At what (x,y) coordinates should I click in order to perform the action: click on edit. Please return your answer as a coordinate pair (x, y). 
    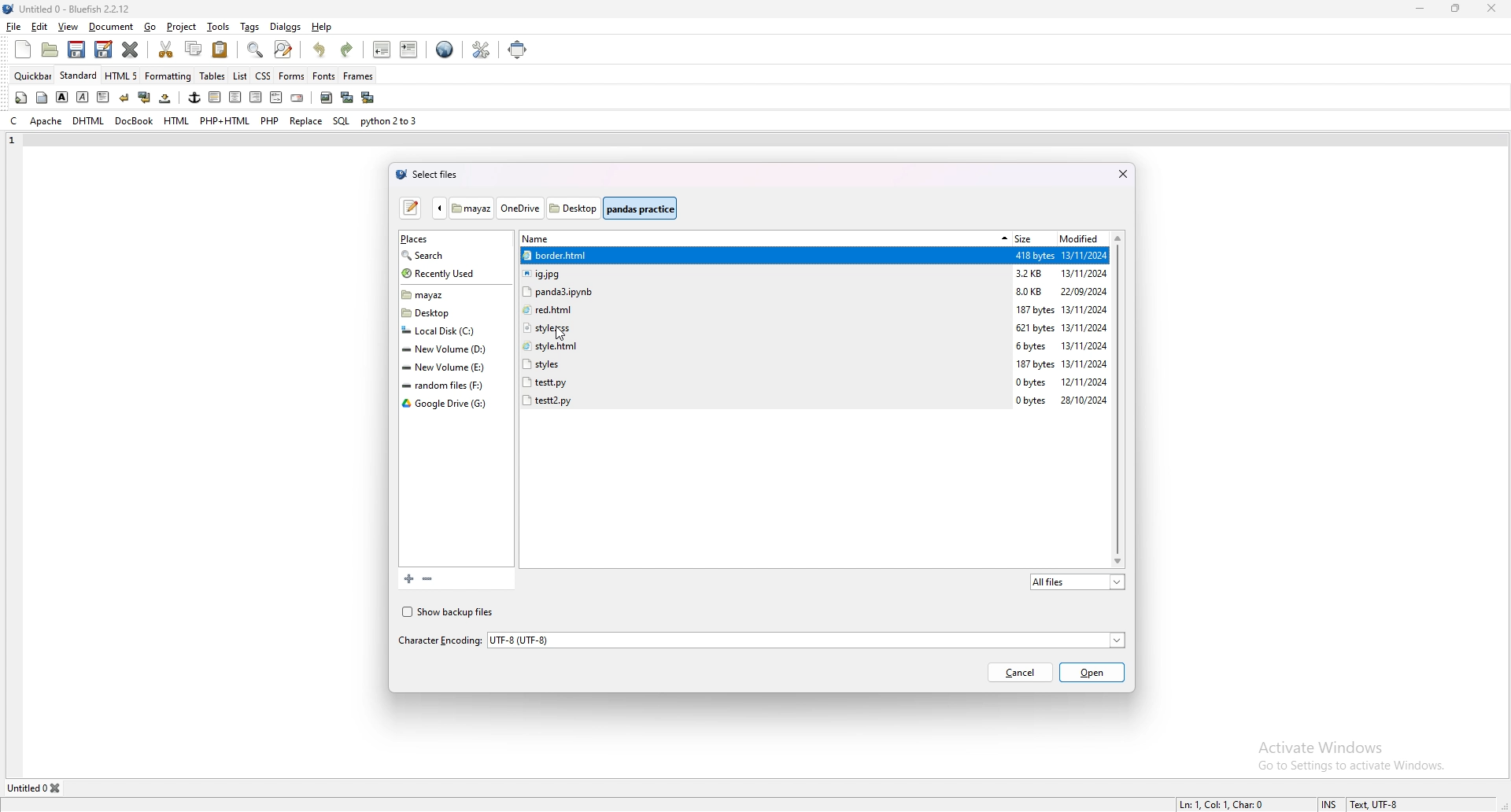
    Looking at the image, I should click on (39, 28).